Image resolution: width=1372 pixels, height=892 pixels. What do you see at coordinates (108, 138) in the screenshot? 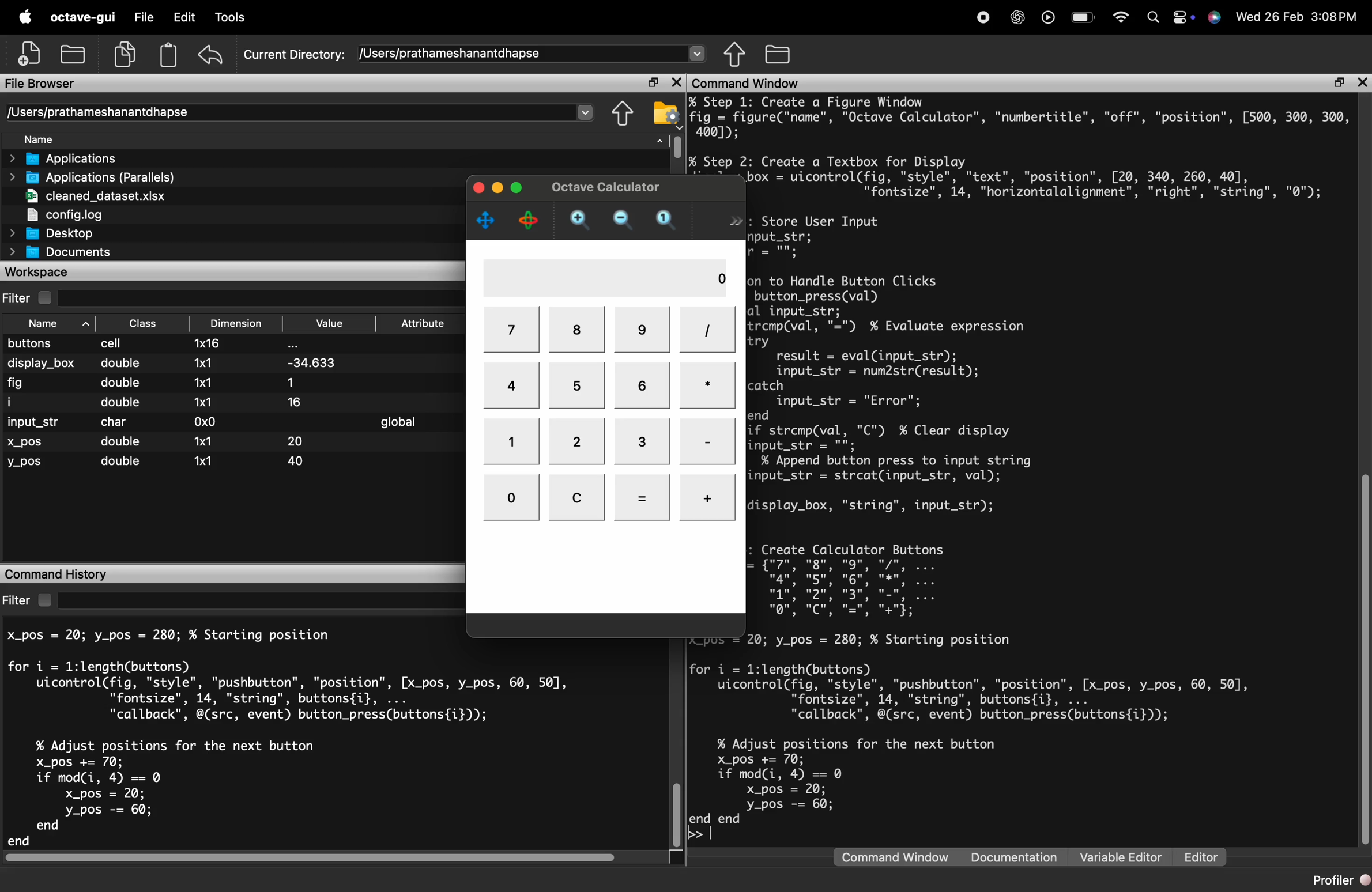
I see `Name` at bounding box center [108, 138].